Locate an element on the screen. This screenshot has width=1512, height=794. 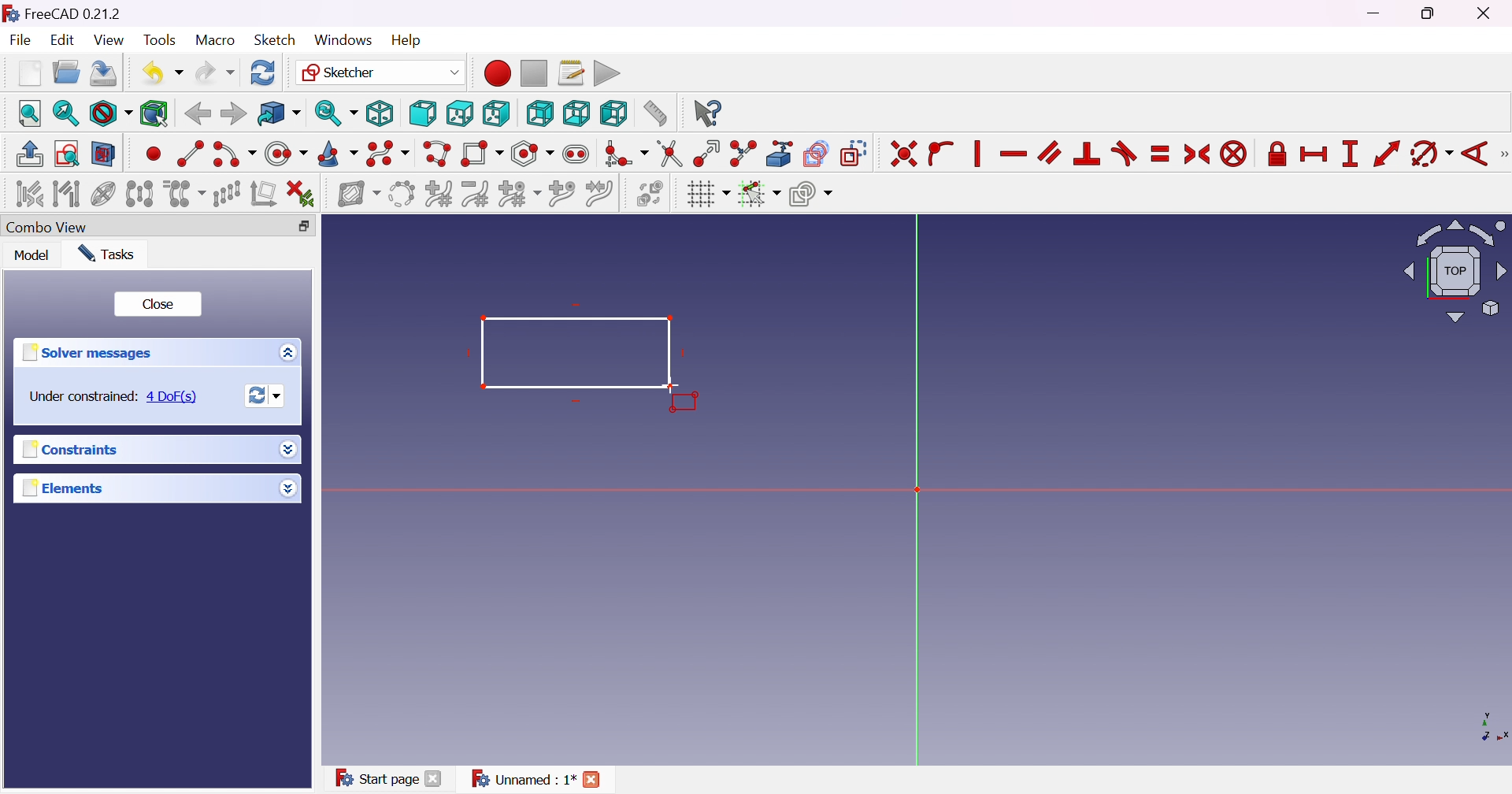
Solver messages is located at coordinates (92, 352).